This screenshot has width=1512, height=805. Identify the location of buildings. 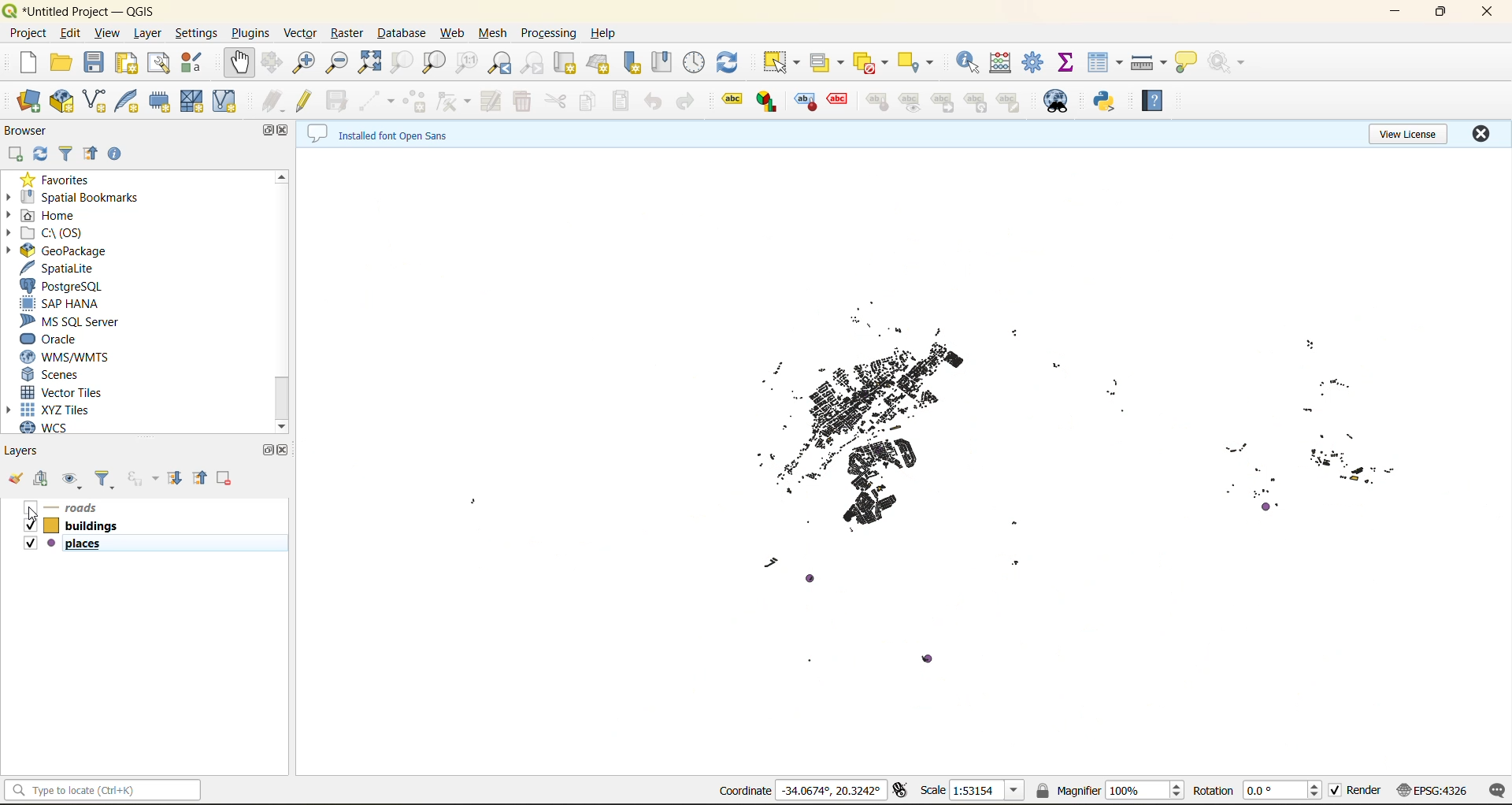
(90, 527).